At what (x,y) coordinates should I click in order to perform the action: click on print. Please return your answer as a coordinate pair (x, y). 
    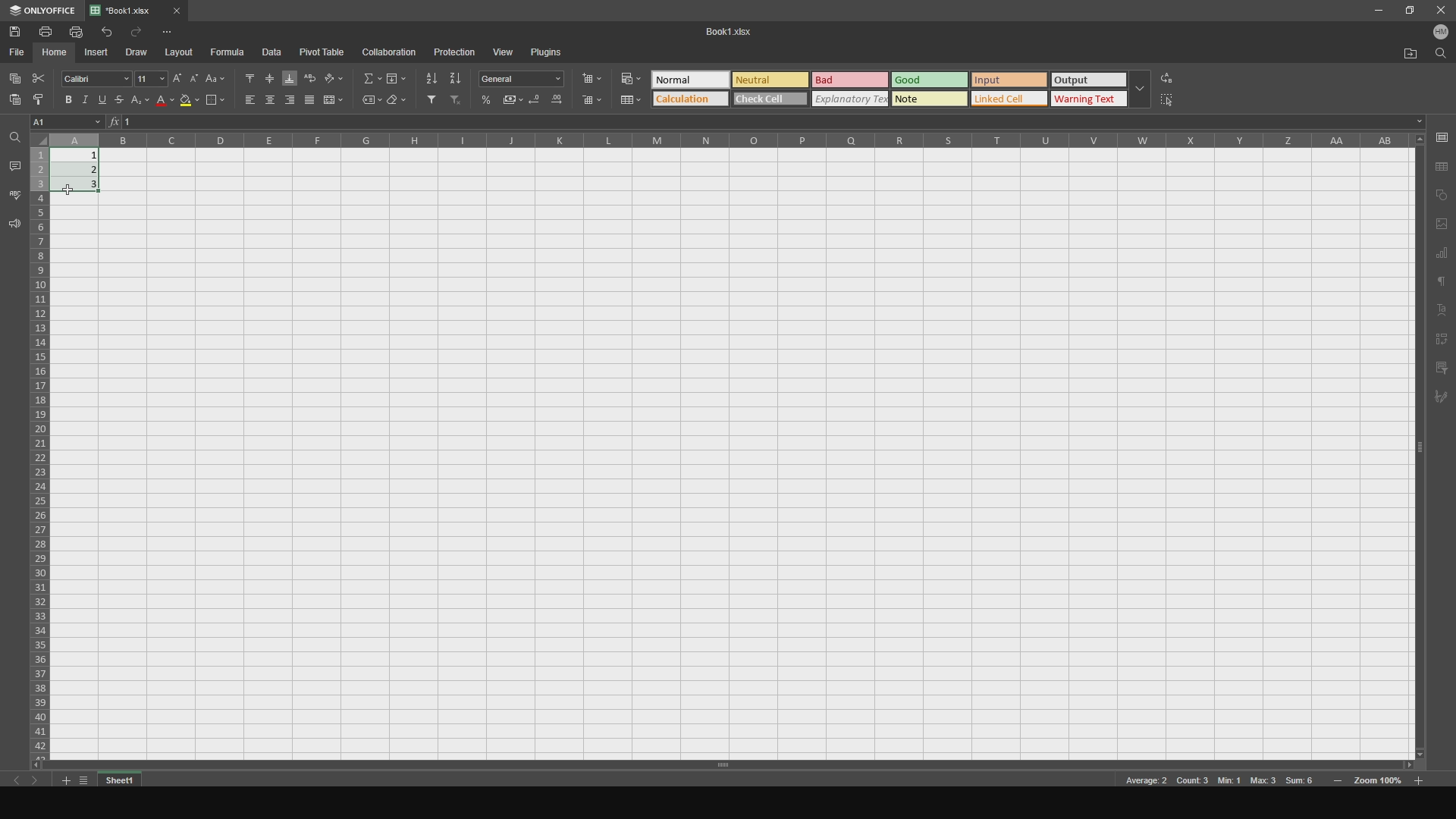
    Looking at the image, I should click on (49, 32).